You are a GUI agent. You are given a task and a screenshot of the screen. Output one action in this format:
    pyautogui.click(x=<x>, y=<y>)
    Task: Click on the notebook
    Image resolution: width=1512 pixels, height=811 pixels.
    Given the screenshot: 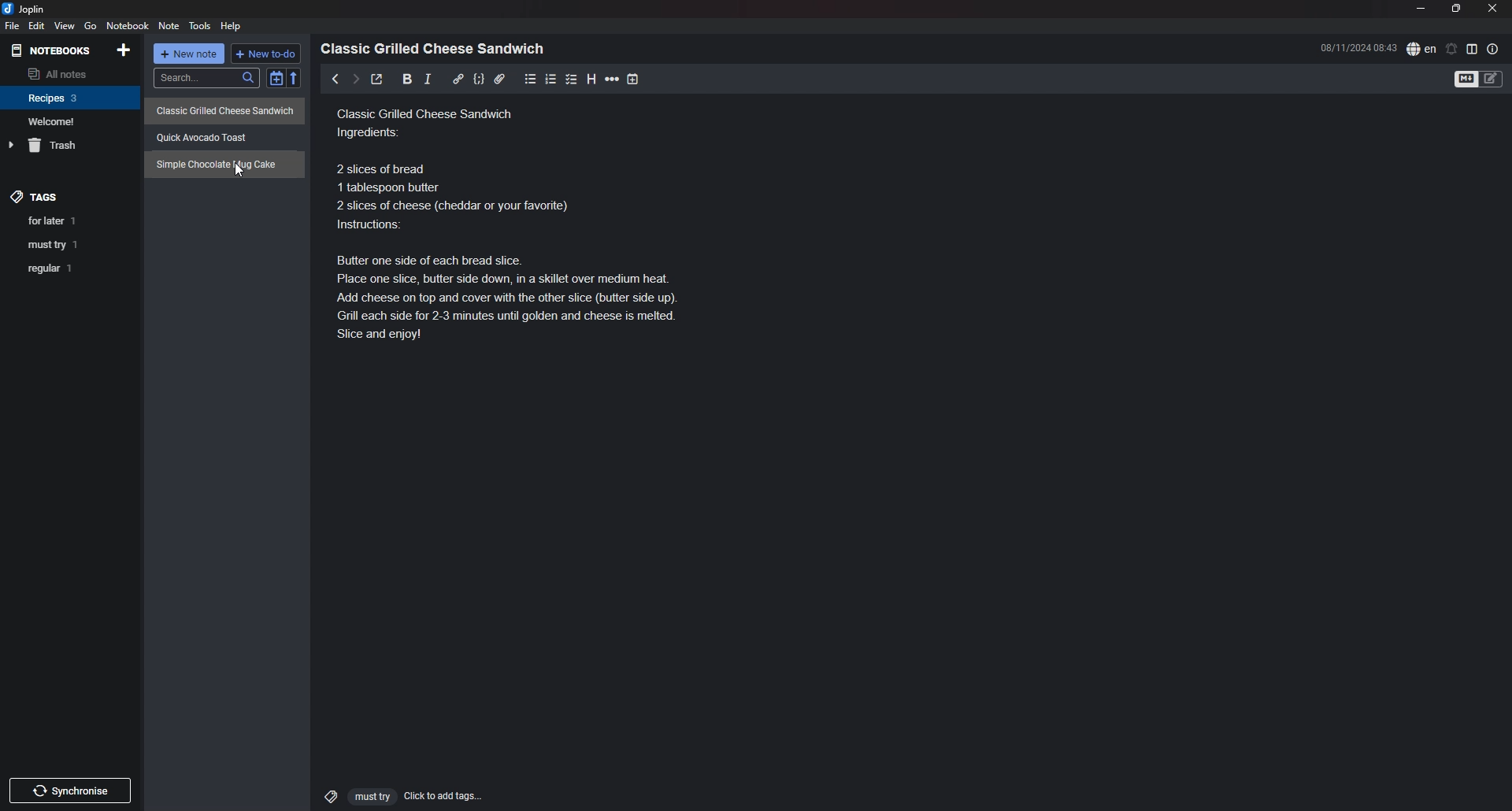 What is the action you would take?
    pyautogui.click(x=71, y=97)
    